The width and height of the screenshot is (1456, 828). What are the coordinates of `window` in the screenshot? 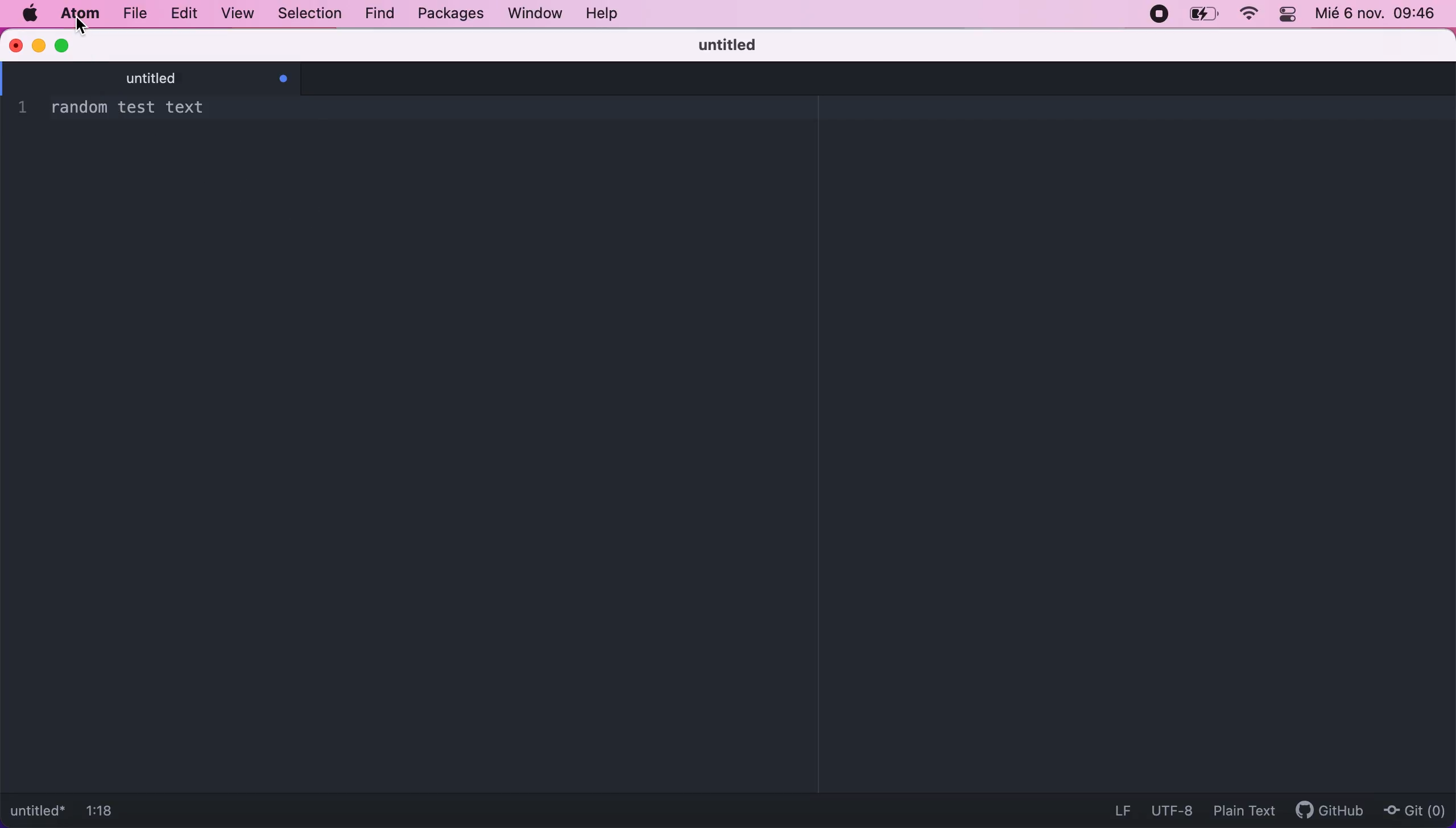 It's located at (534, 14).